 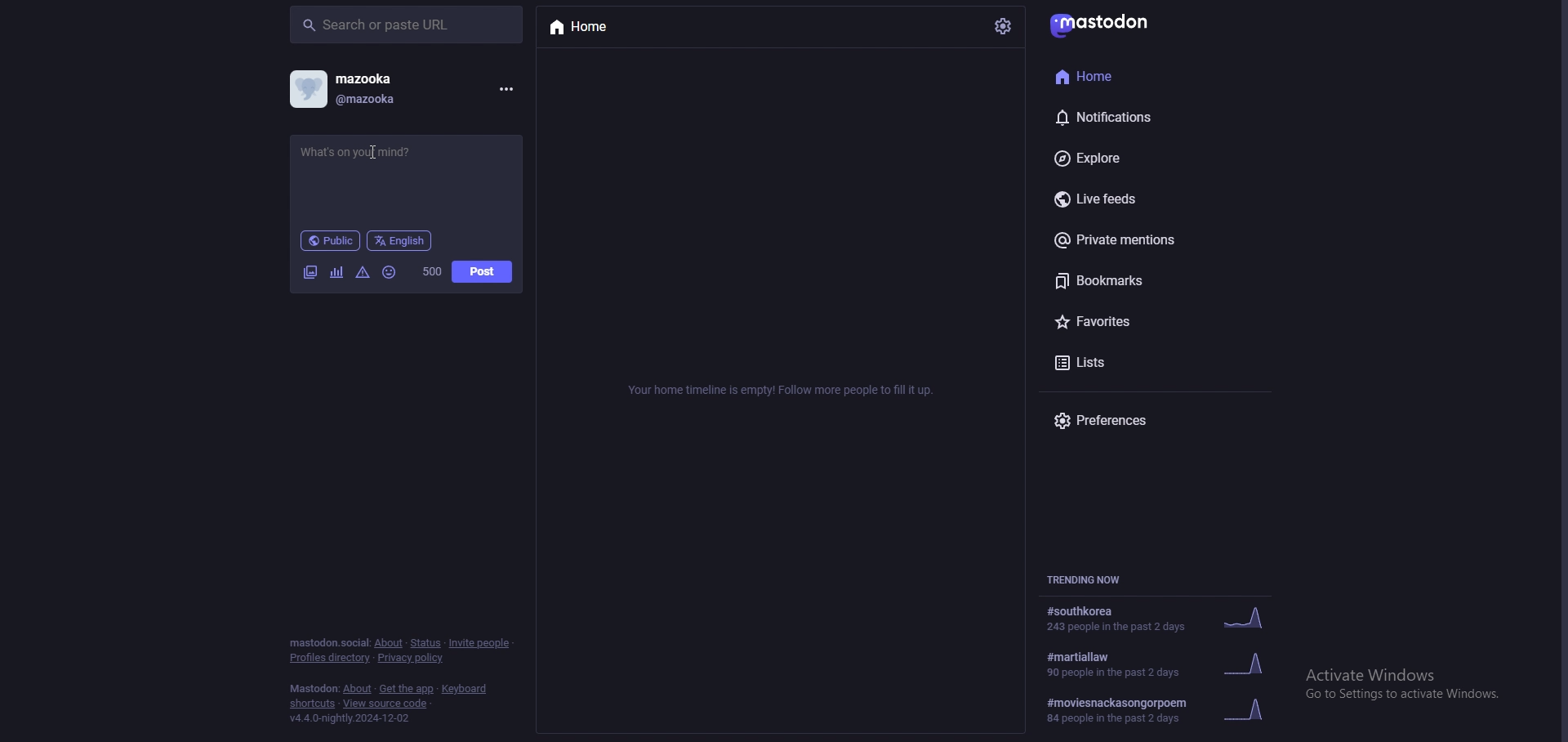 What do you see at coordinates (407, 26) in the screenshot?
I see `search bar` at bounding box center [407, 26].